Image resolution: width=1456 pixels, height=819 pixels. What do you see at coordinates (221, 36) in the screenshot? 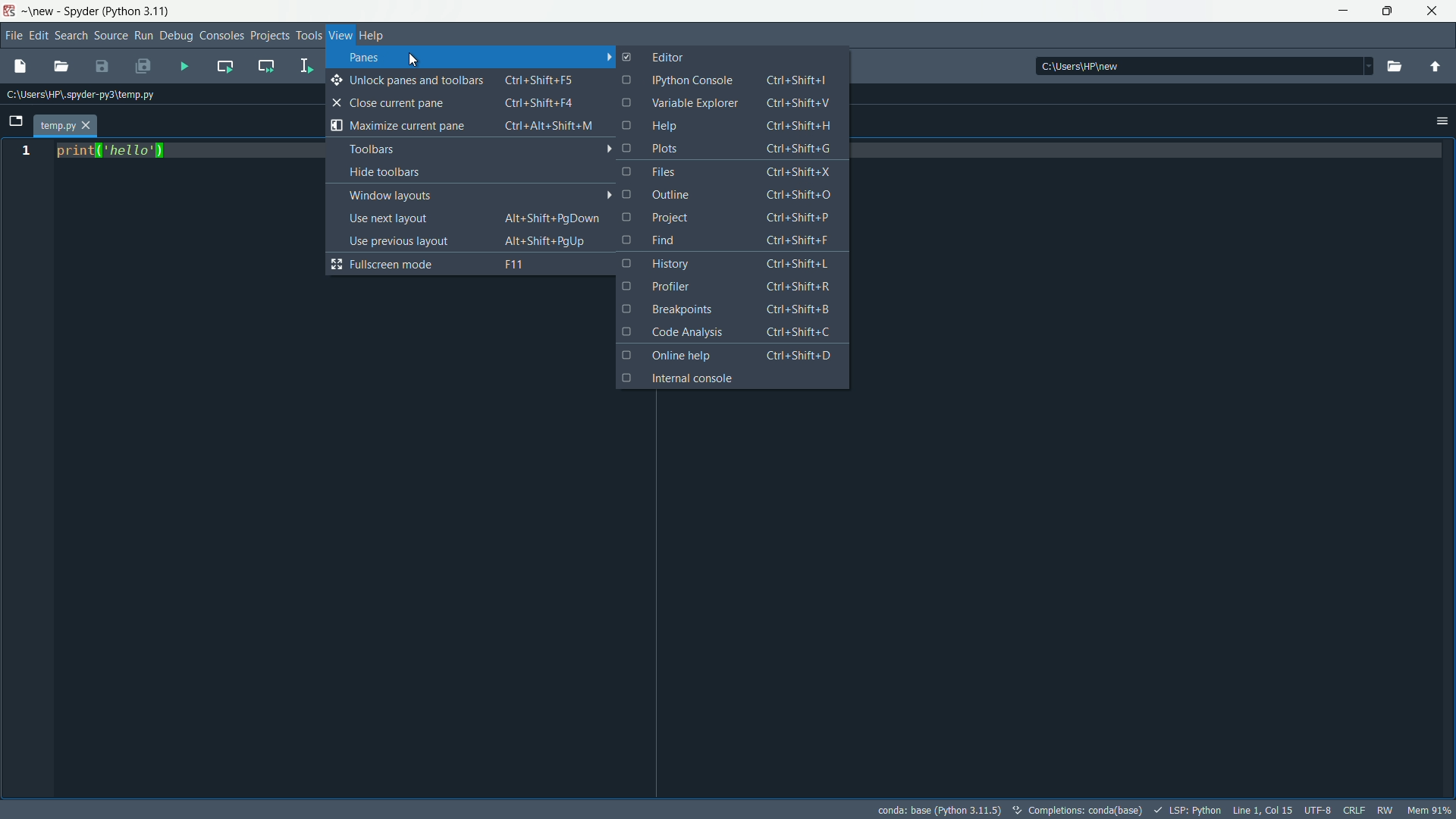
I see `consoles menu` at bounding box center [221, 36].